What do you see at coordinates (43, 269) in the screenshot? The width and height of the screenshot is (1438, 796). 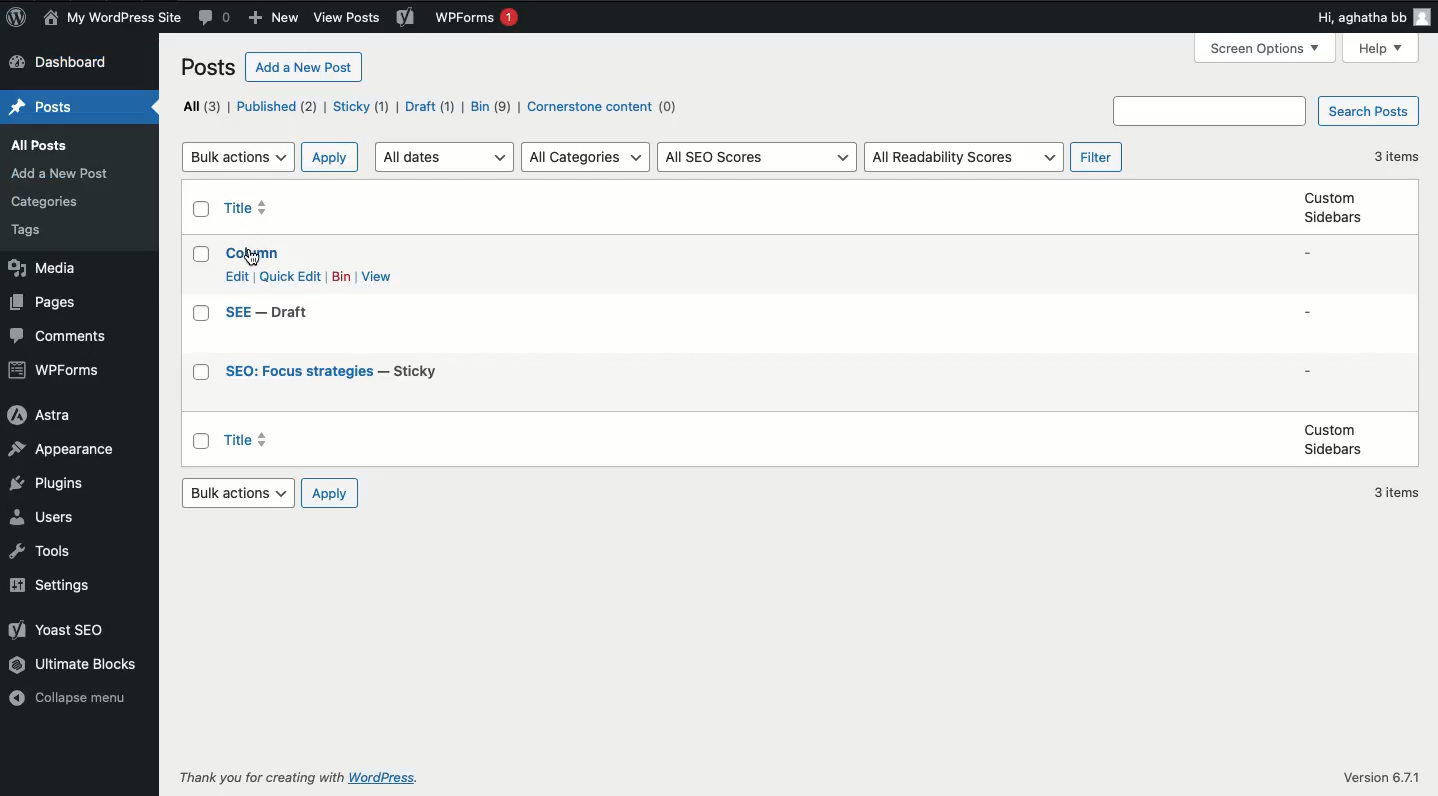 I see `Media` at bounding box center [43, 269].